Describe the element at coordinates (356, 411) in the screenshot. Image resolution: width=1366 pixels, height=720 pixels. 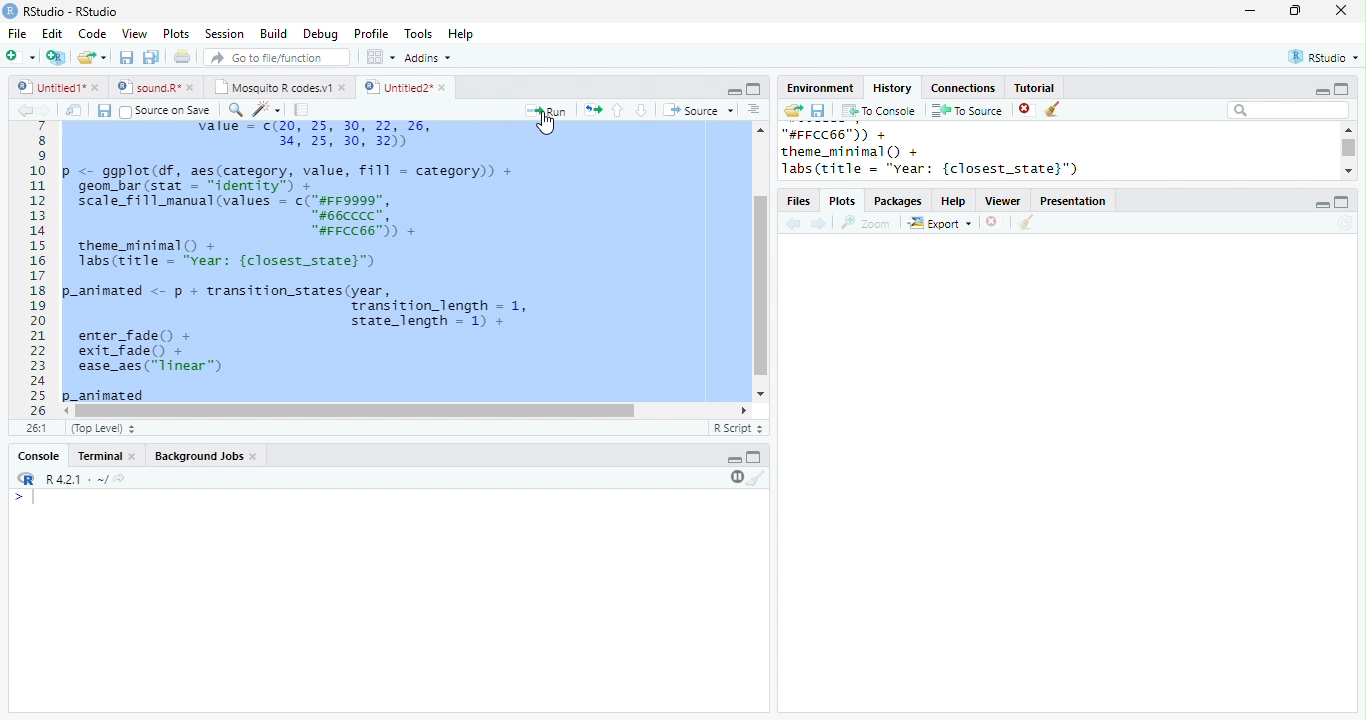
I see `scroll bar` at that location.